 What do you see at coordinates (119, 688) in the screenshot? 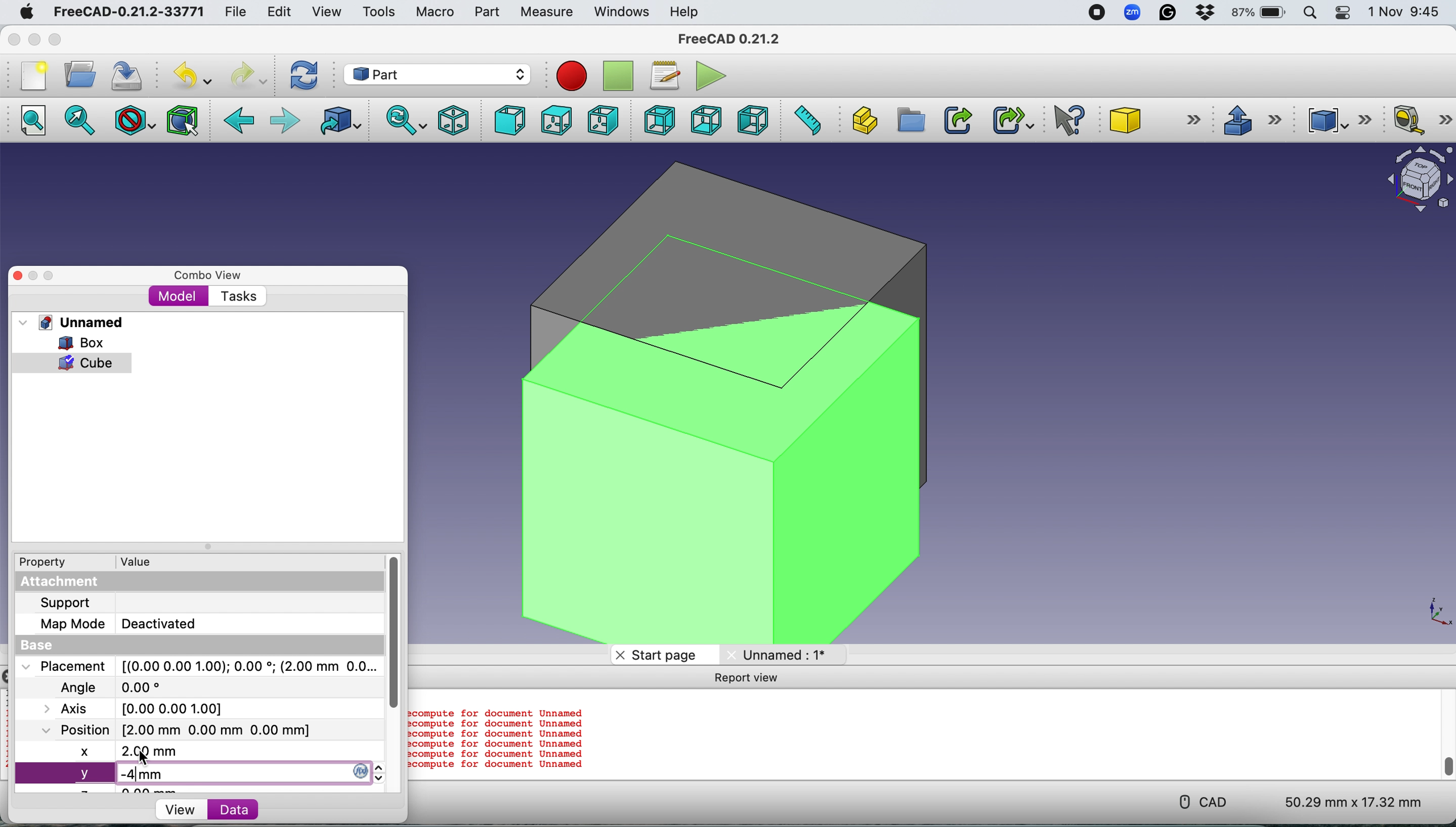
I see `Angle 0.00` at bounding box center [119, 688].